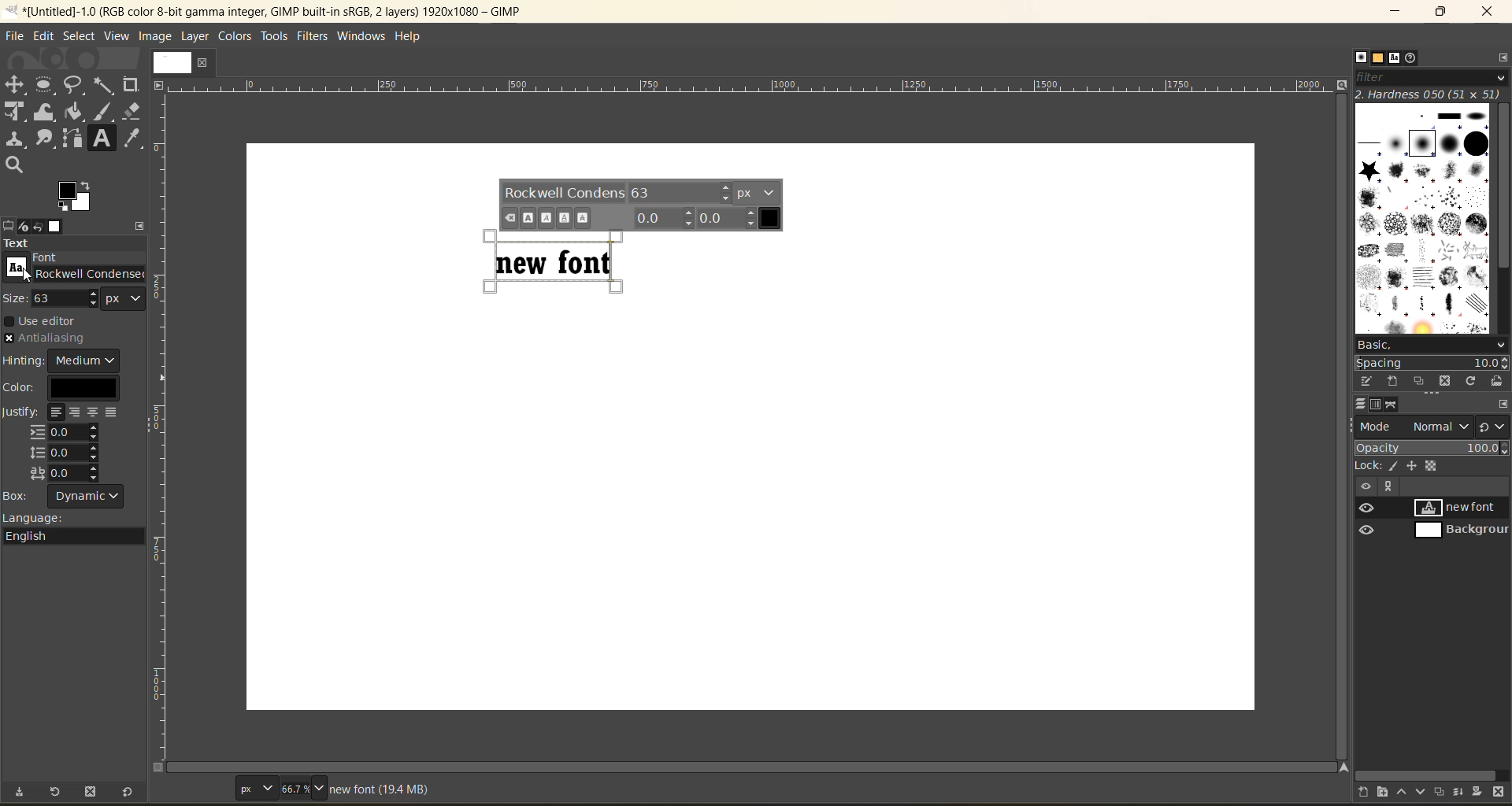  What do you see at coordinates (560, 261) in the screenshot?
I see `text ` at bounding box center [560, 261].